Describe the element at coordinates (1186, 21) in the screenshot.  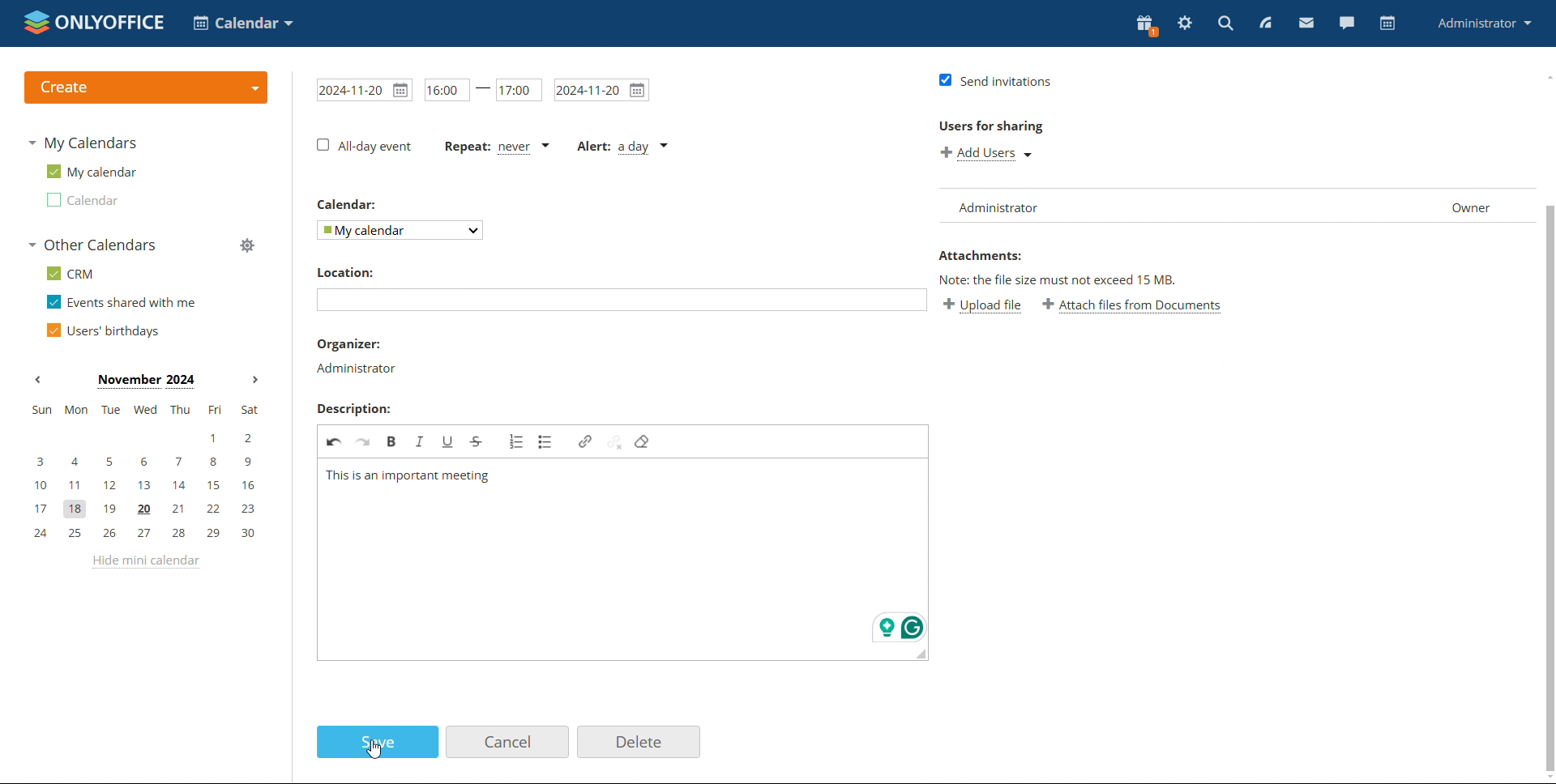
I see `settings` at that location.